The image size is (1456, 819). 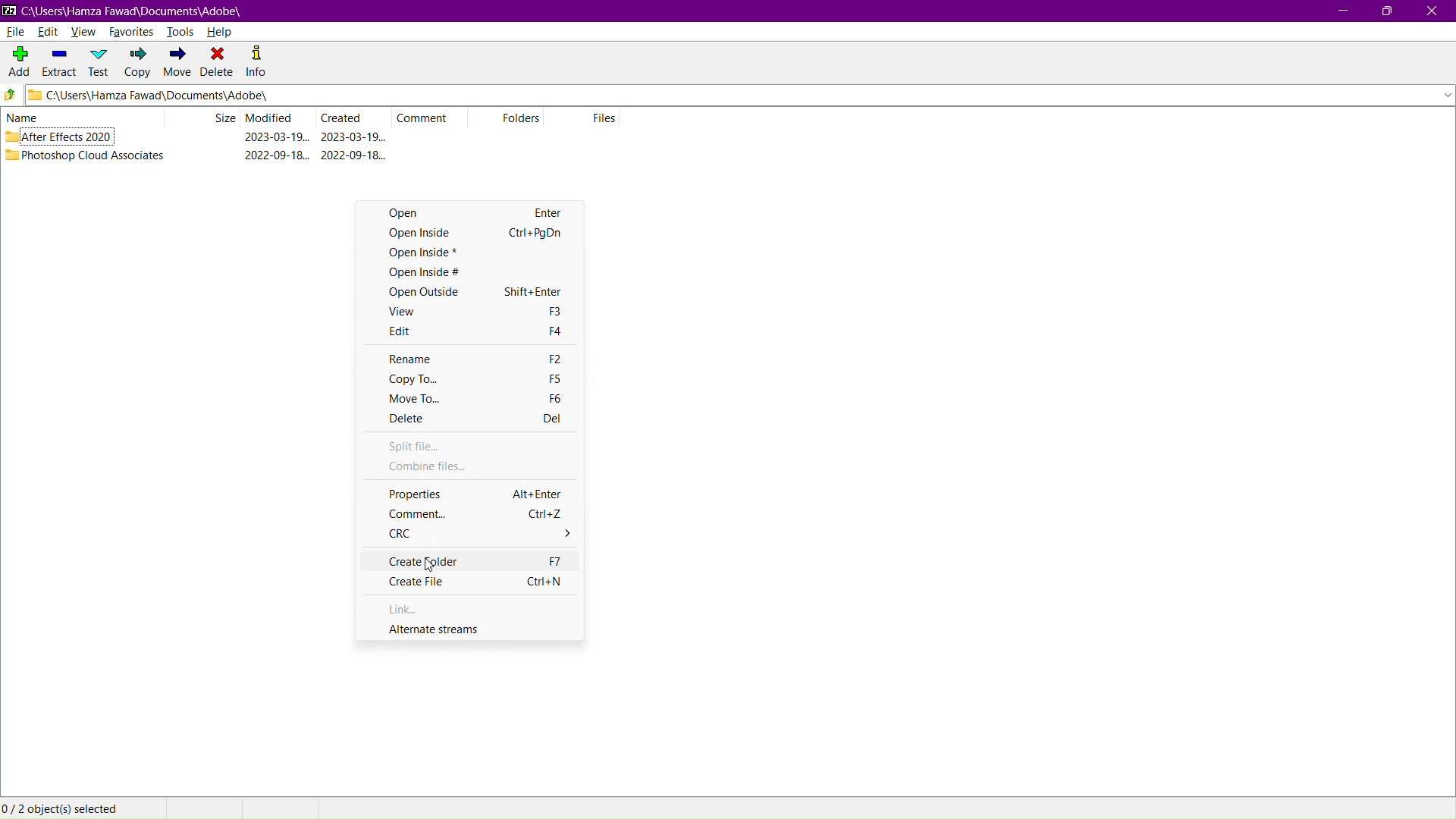 What do you see at coordinates (175, 63) in the screenshot?
I see `Move` at bounding box center [175, 63].